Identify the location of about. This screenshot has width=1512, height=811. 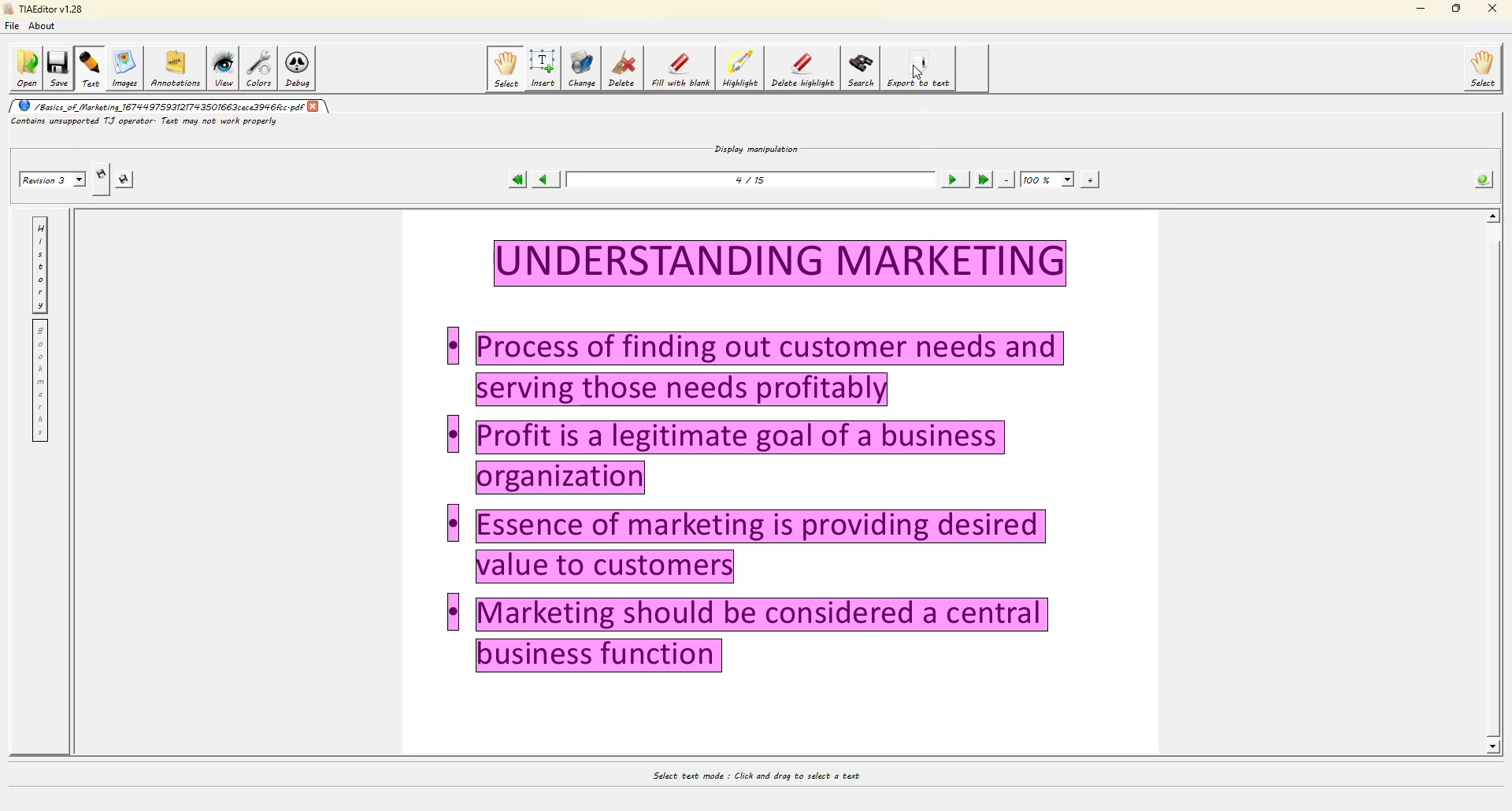
(43, 25).